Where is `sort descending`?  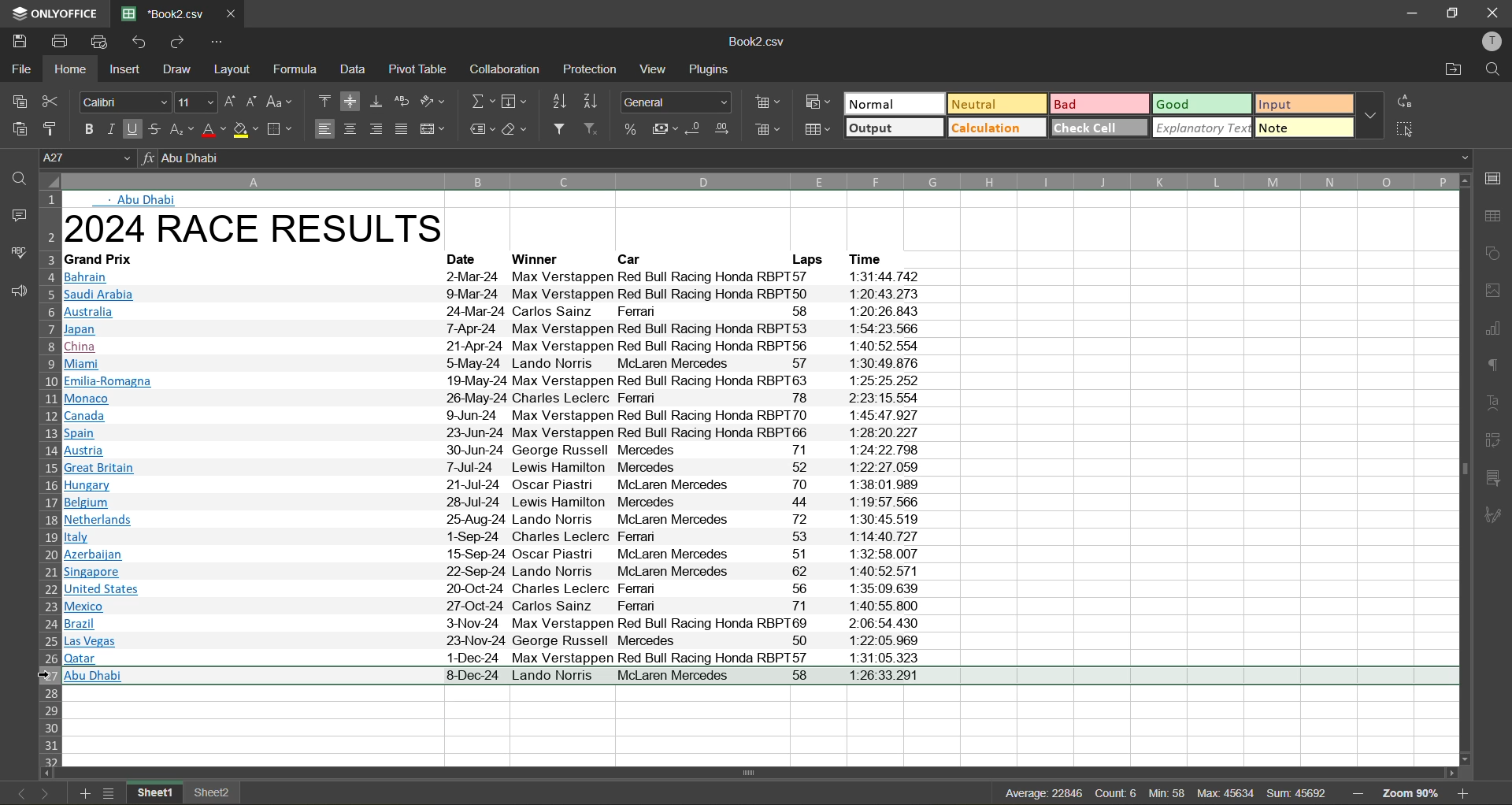
sort descending is located at coordinates (591, 102).